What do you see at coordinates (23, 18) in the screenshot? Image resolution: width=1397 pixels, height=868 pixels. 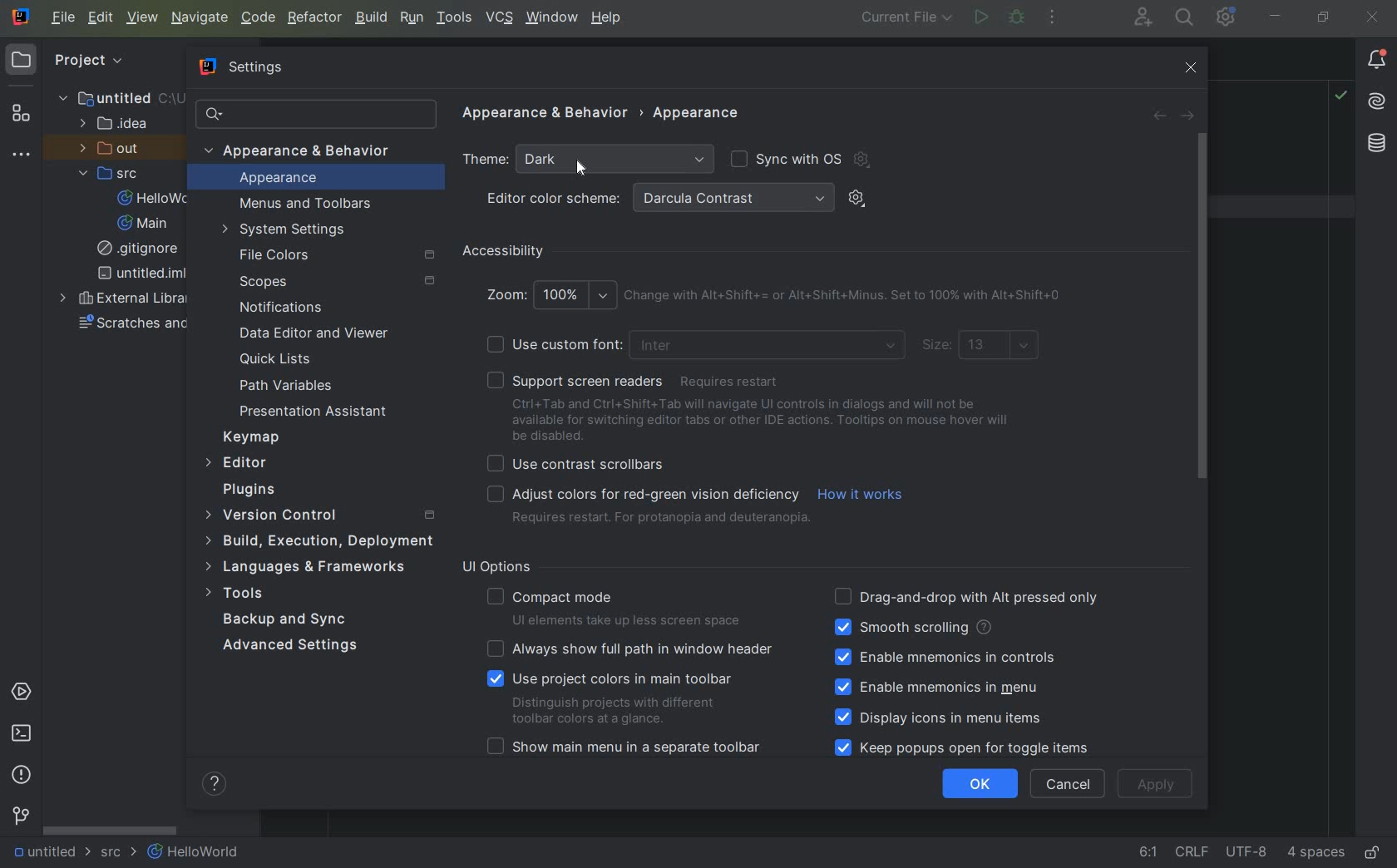 I see `Application logo` at bounding box center [23, 18].